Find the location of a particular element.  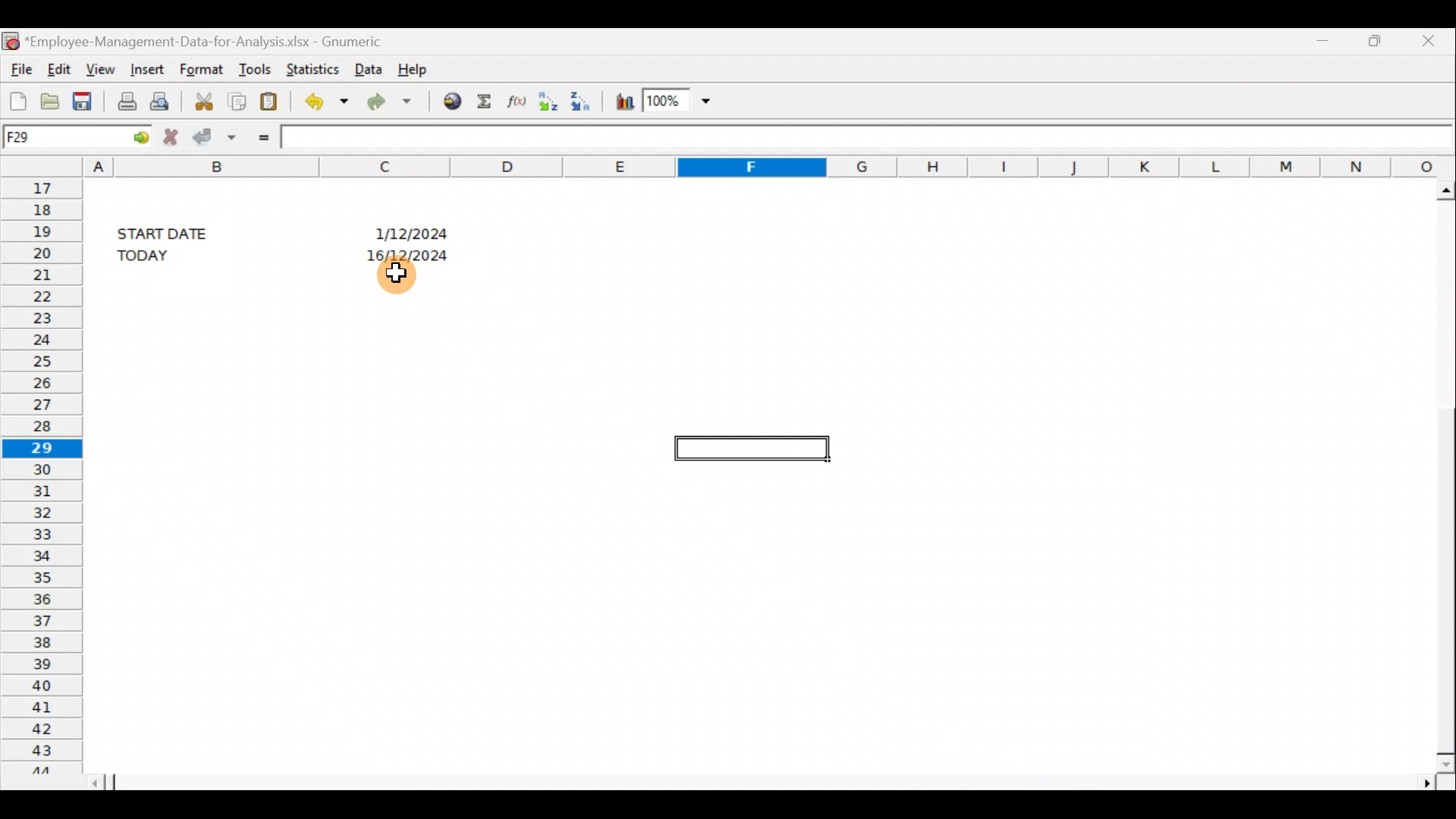

Scroll bar is located at coordinates (1439, 472).